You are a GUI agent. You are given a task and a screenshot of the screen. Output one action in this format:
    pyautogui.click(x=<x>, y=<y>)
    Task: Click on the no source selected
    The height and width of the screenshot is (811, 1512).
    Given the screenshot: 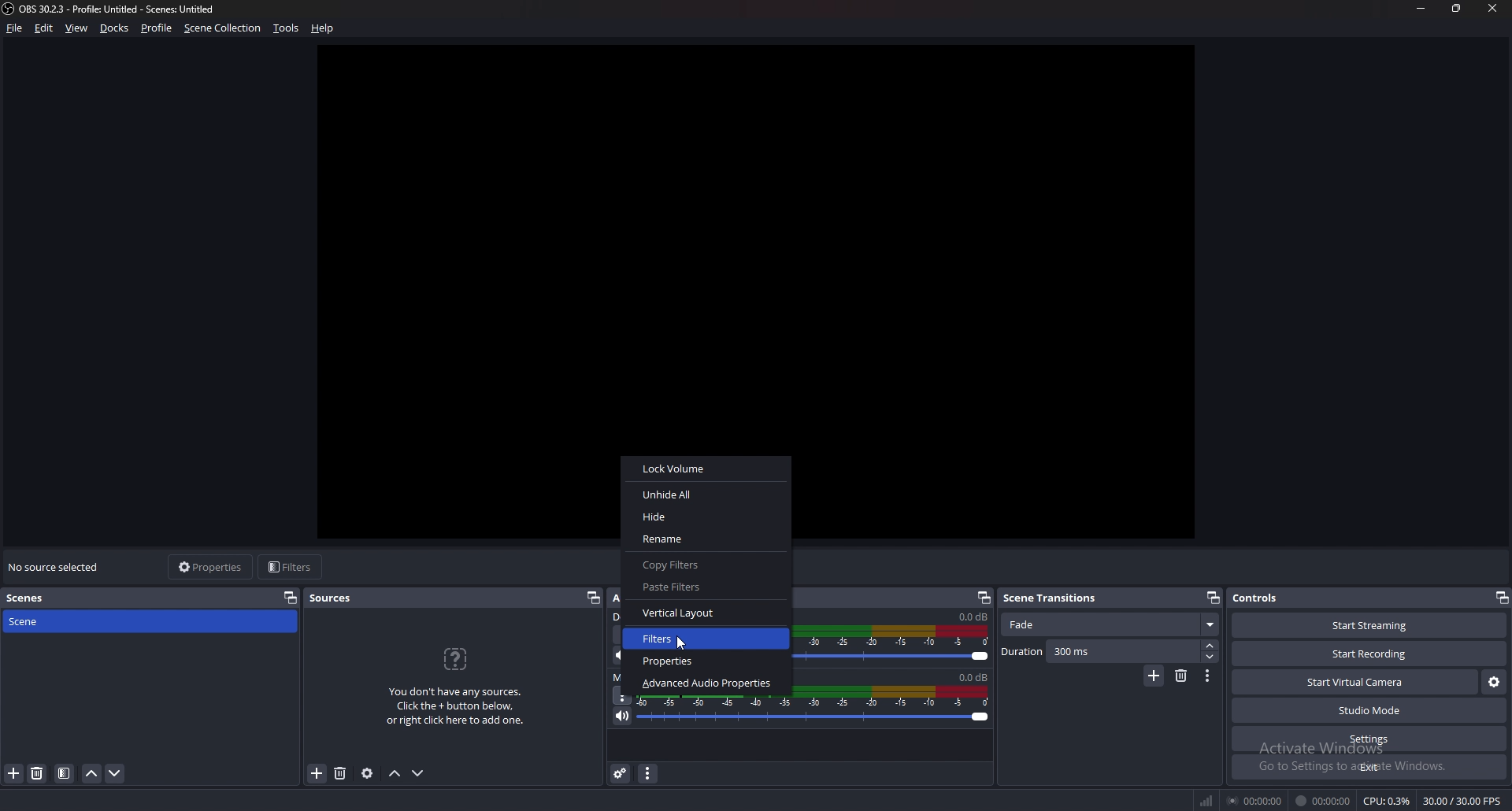 What is the action you would take?
    pyautogui.click(x=55, y=566)
    